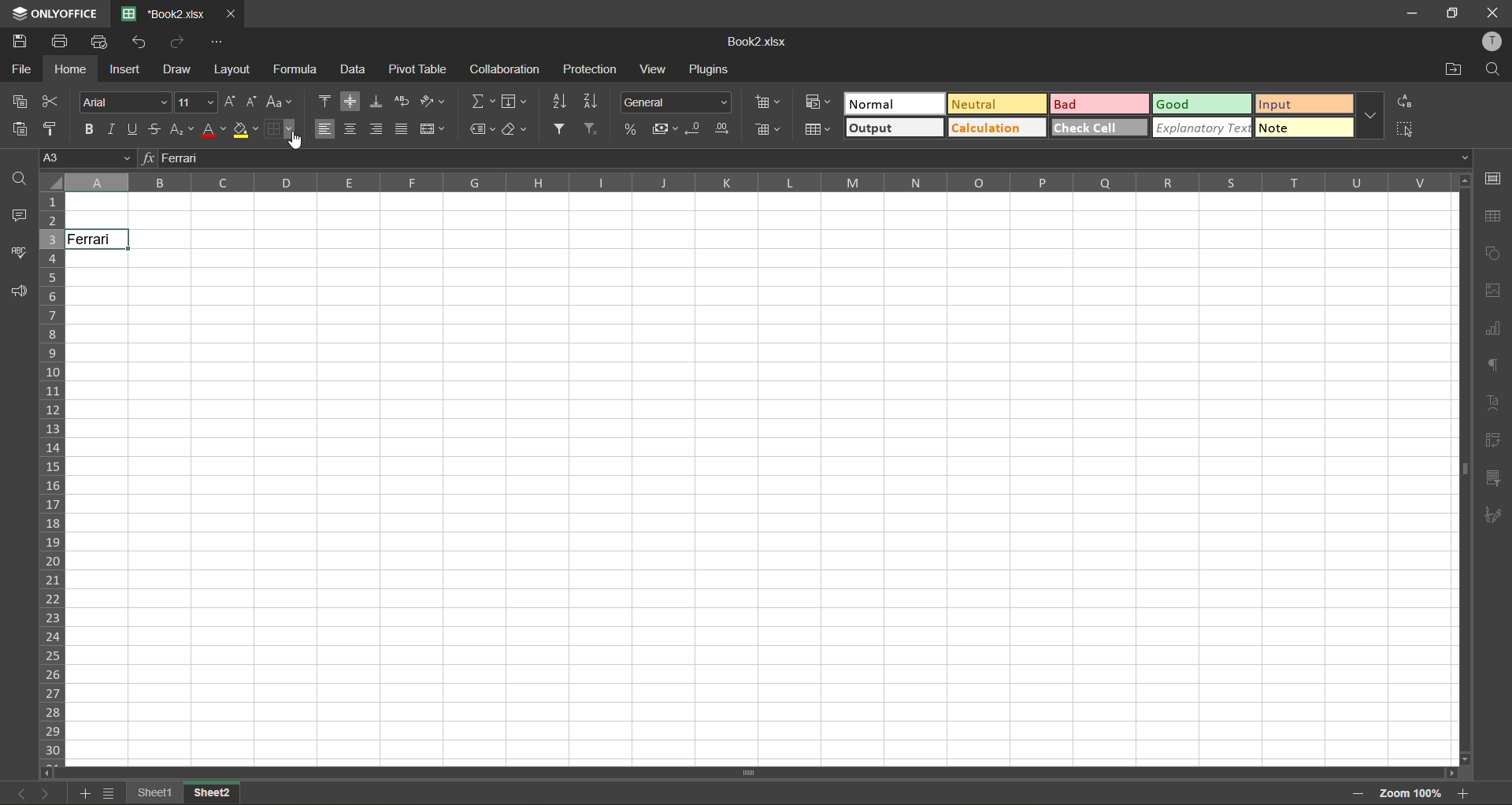 This screenshot has width=1512, height=805. Describe the element at coordinates (157, 128) in the screenshot. I see `strikethrough` at that location.